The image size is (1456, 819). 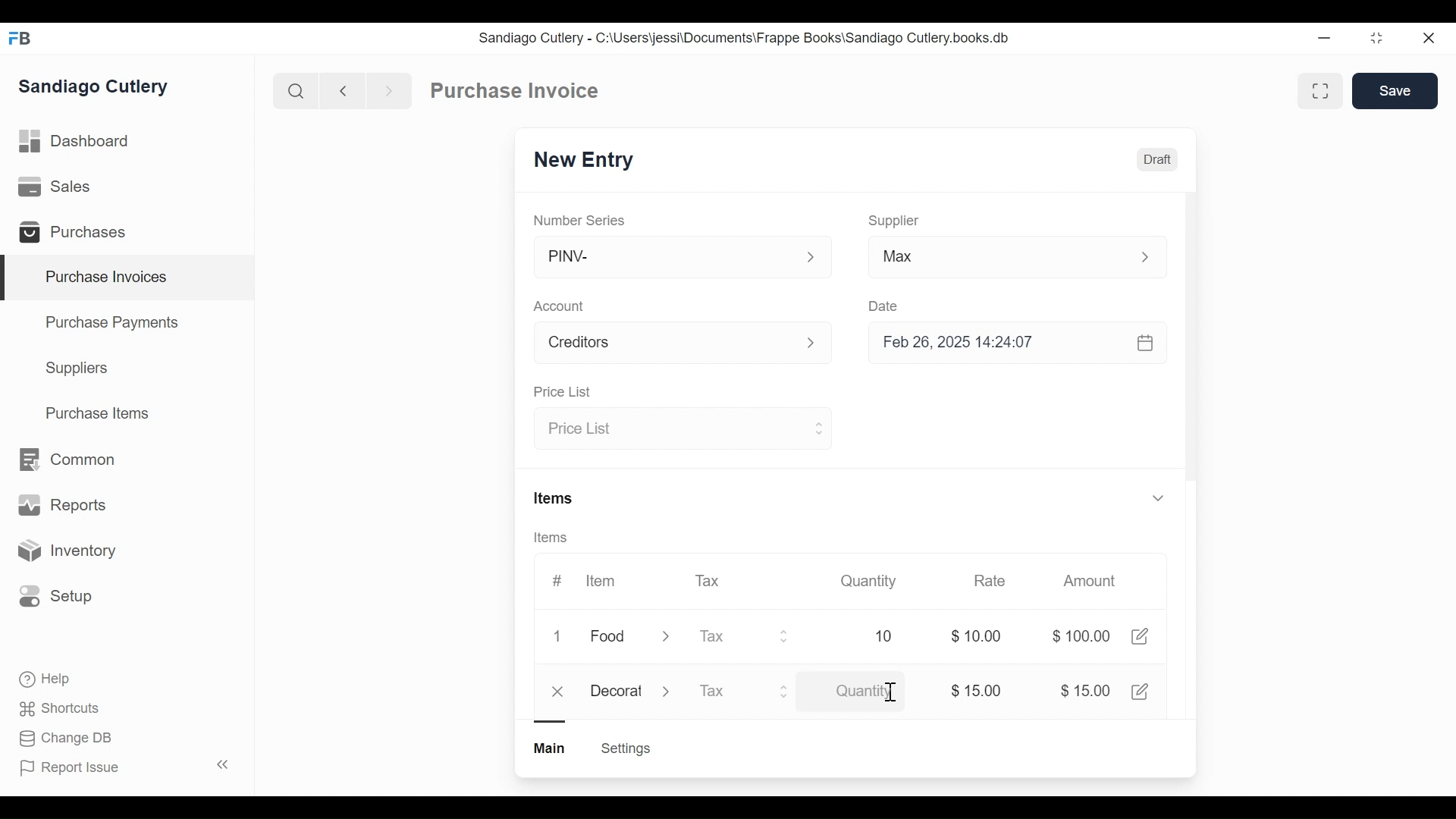 What do you see at coordinates (669, 690) in the screenshot?
I see `Expand` at bounding box center [669, 690].